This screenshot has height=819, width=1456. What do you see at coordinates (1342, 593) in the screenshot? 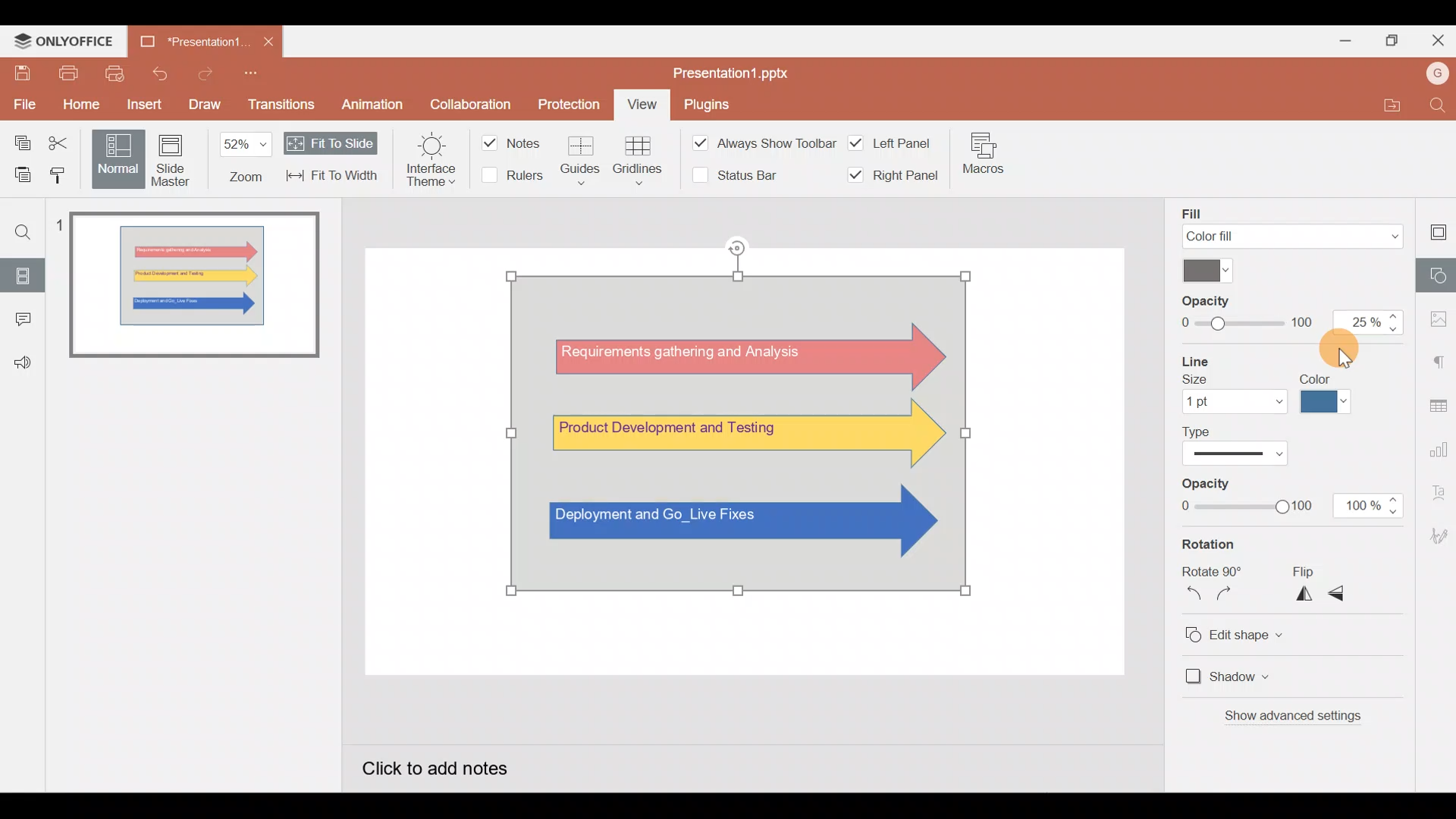
I see `Flip vertically` at bounding box center [1342, 593].